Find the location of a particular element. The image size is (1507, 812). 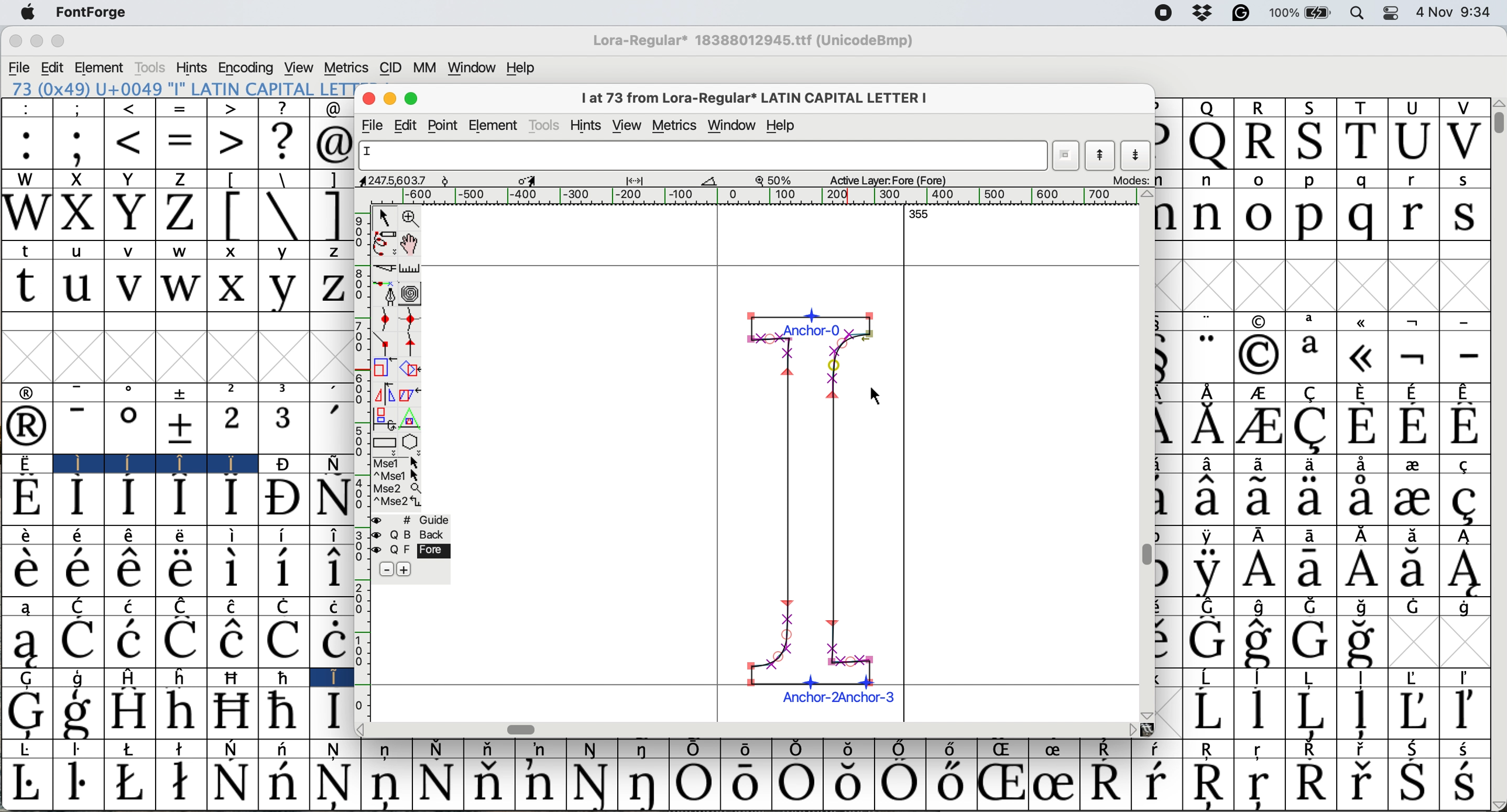

I at 73from Lora-Regular* LATIN CAPITAL LETTER I is located at coordinates (761, 101).